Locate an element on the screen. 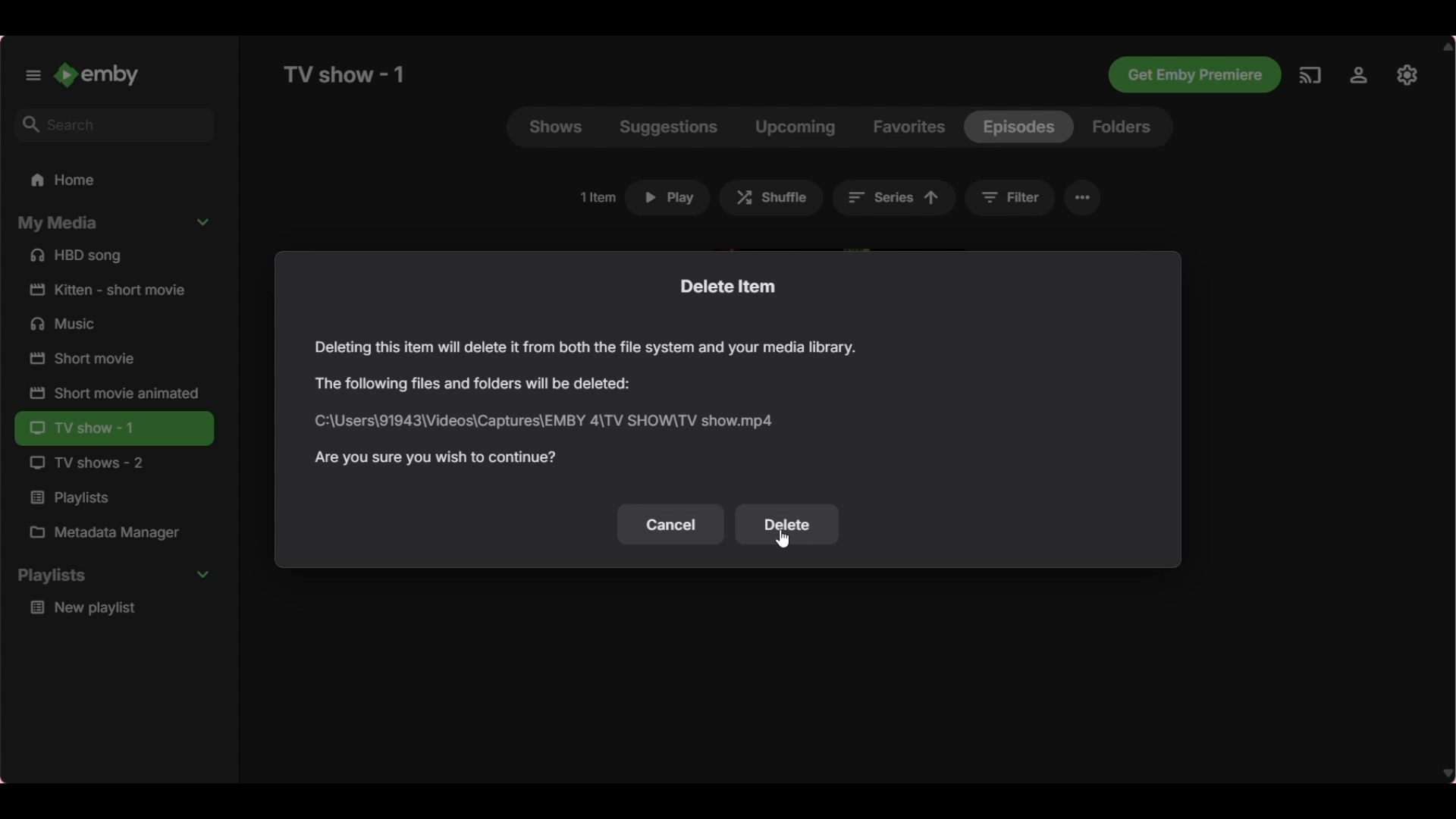 The width and height of the screenshot is (1456, 819). Cursor is located at coordinates (783, 538).